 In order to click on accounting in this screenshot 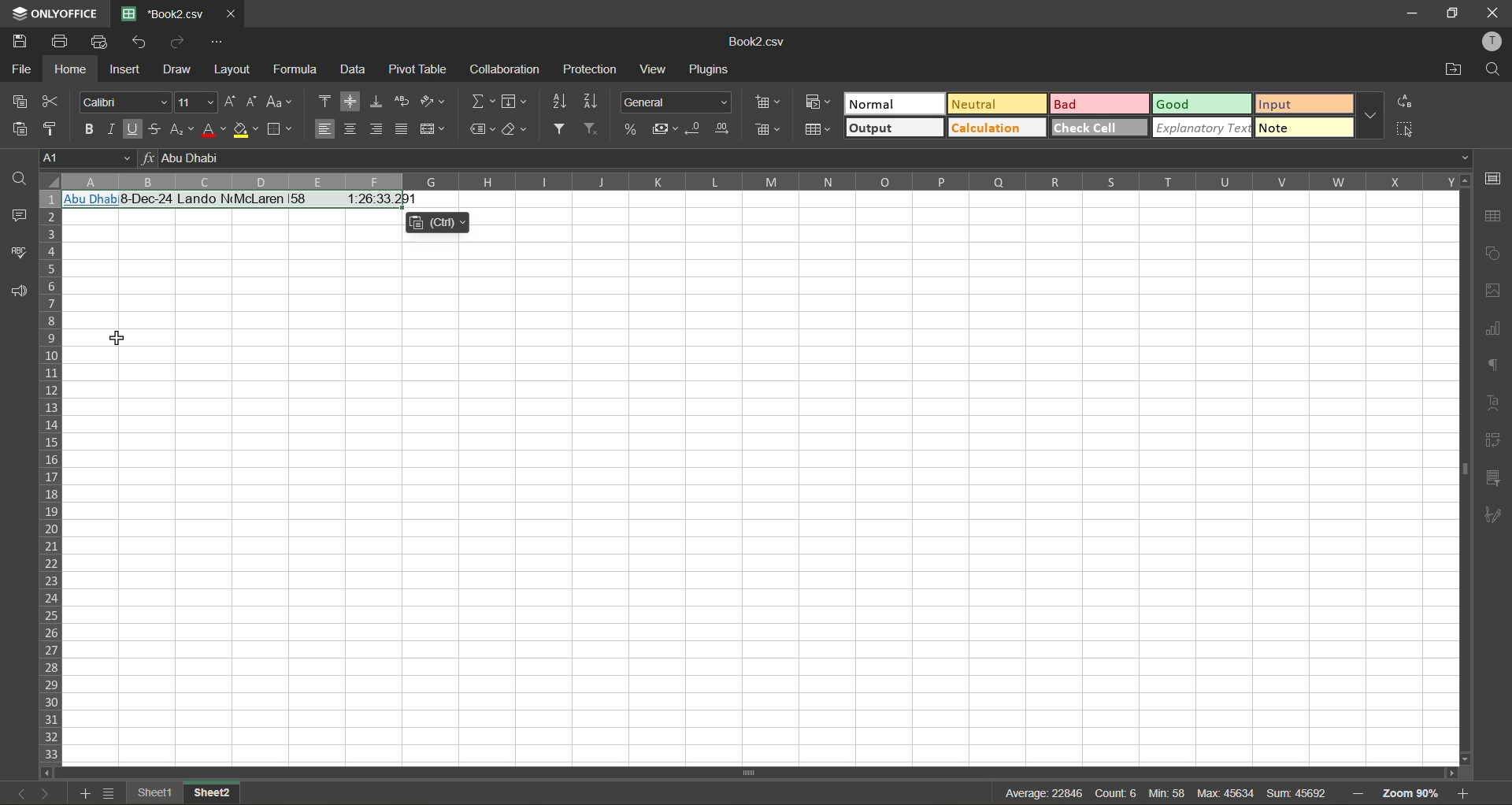, I will do `click(663, 129)`.